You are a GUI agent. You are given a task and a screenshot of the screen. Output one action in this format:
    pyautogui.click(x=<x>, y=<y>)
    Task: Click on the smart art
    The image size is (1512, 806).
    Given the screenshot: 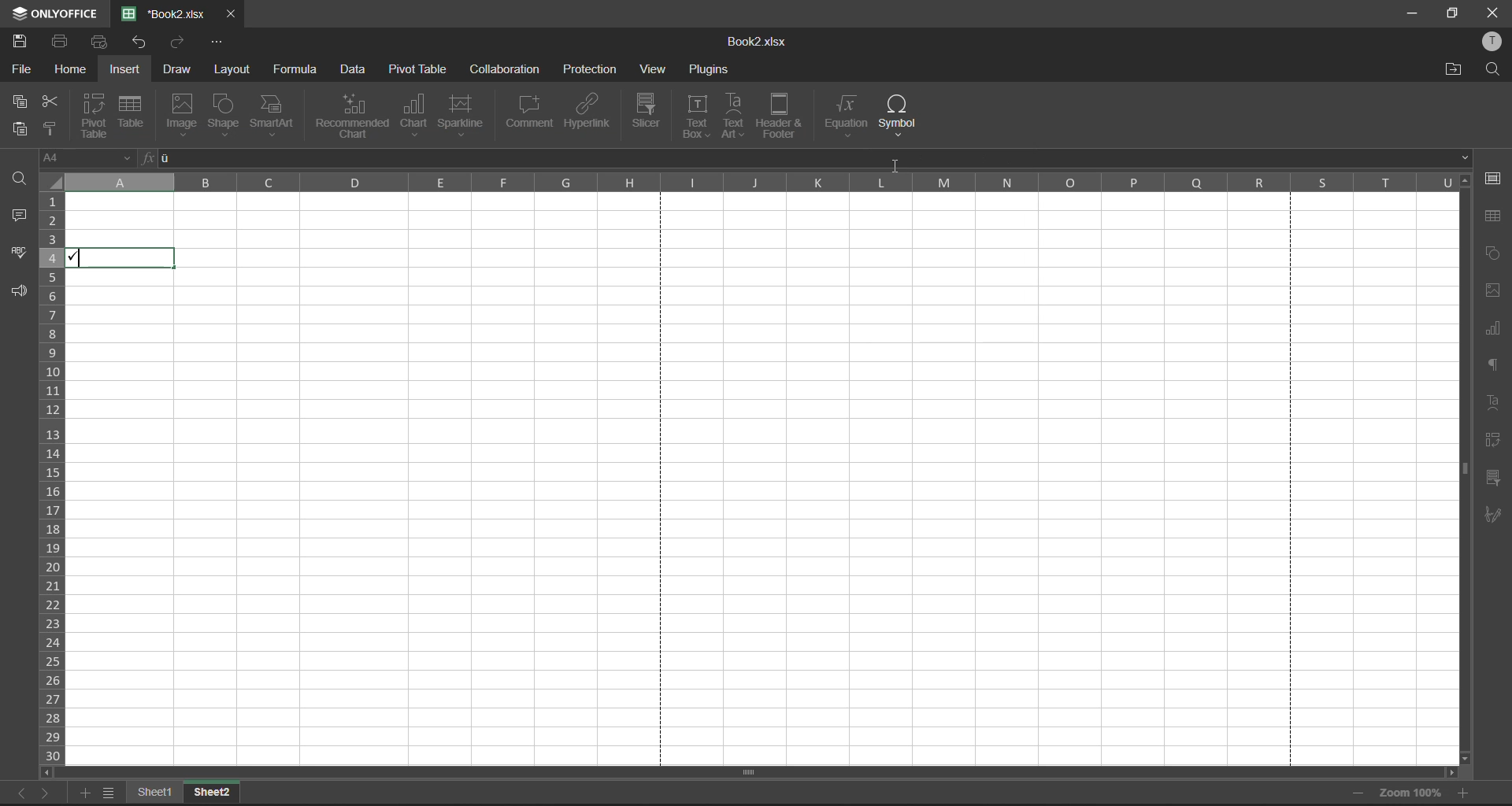 What is the action you would take?
    pyautogui.click(x=274, y=116)
    